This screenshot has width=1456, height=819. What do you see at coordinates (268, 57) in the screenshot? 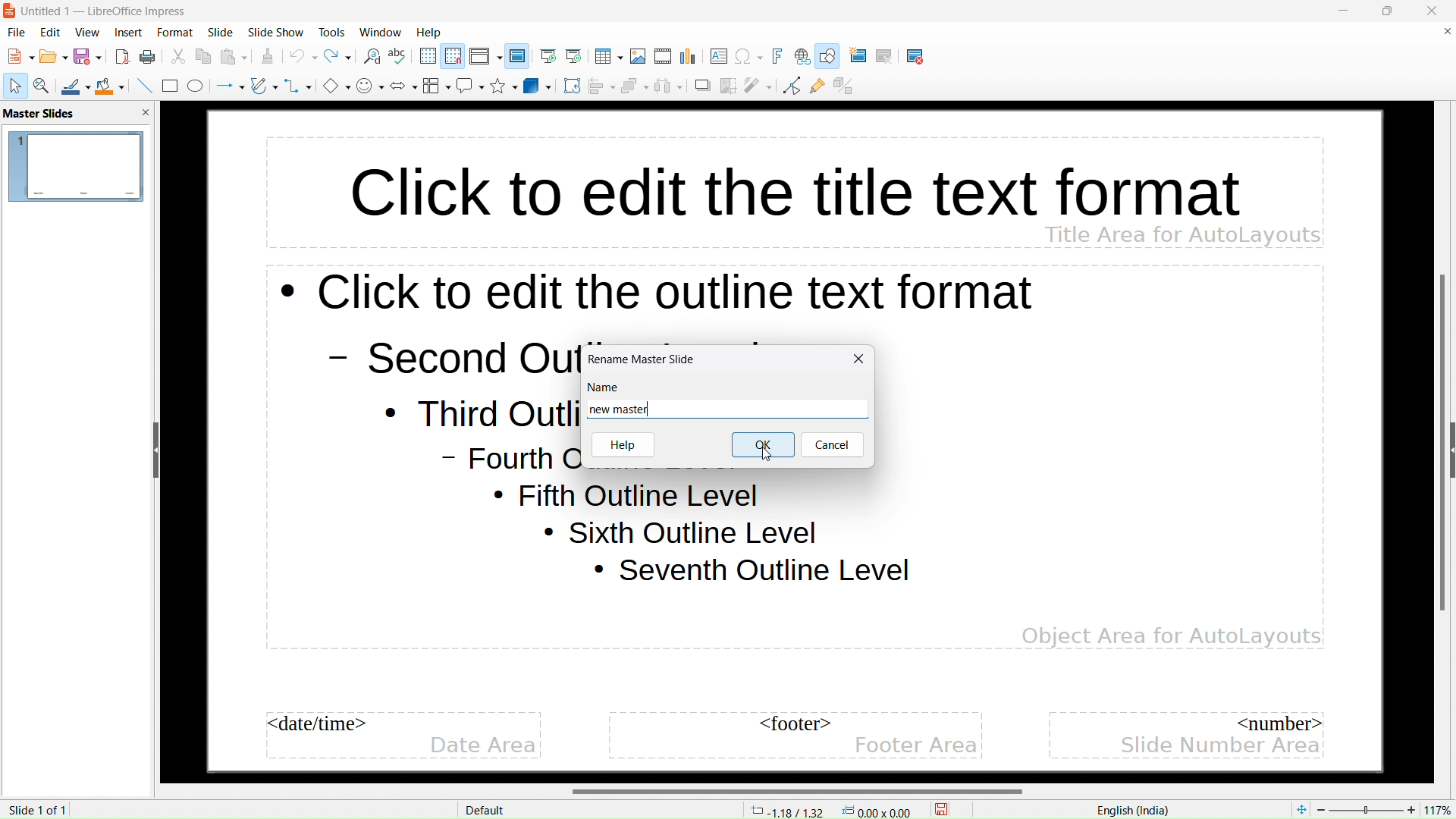
I see `clone formatting` at bounding box center [268, 57].